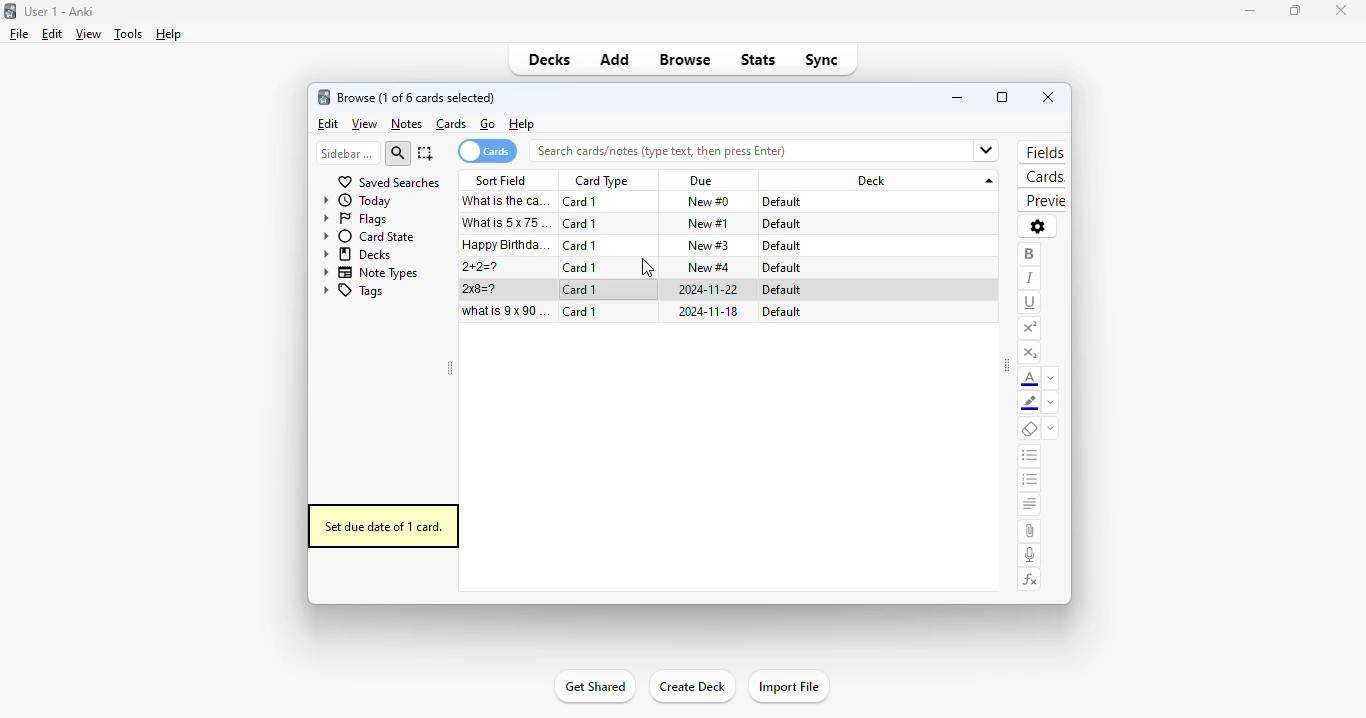  Describe the element at coordinates (347, 153) in the screenshot. I see `sidebar filter` at that location.